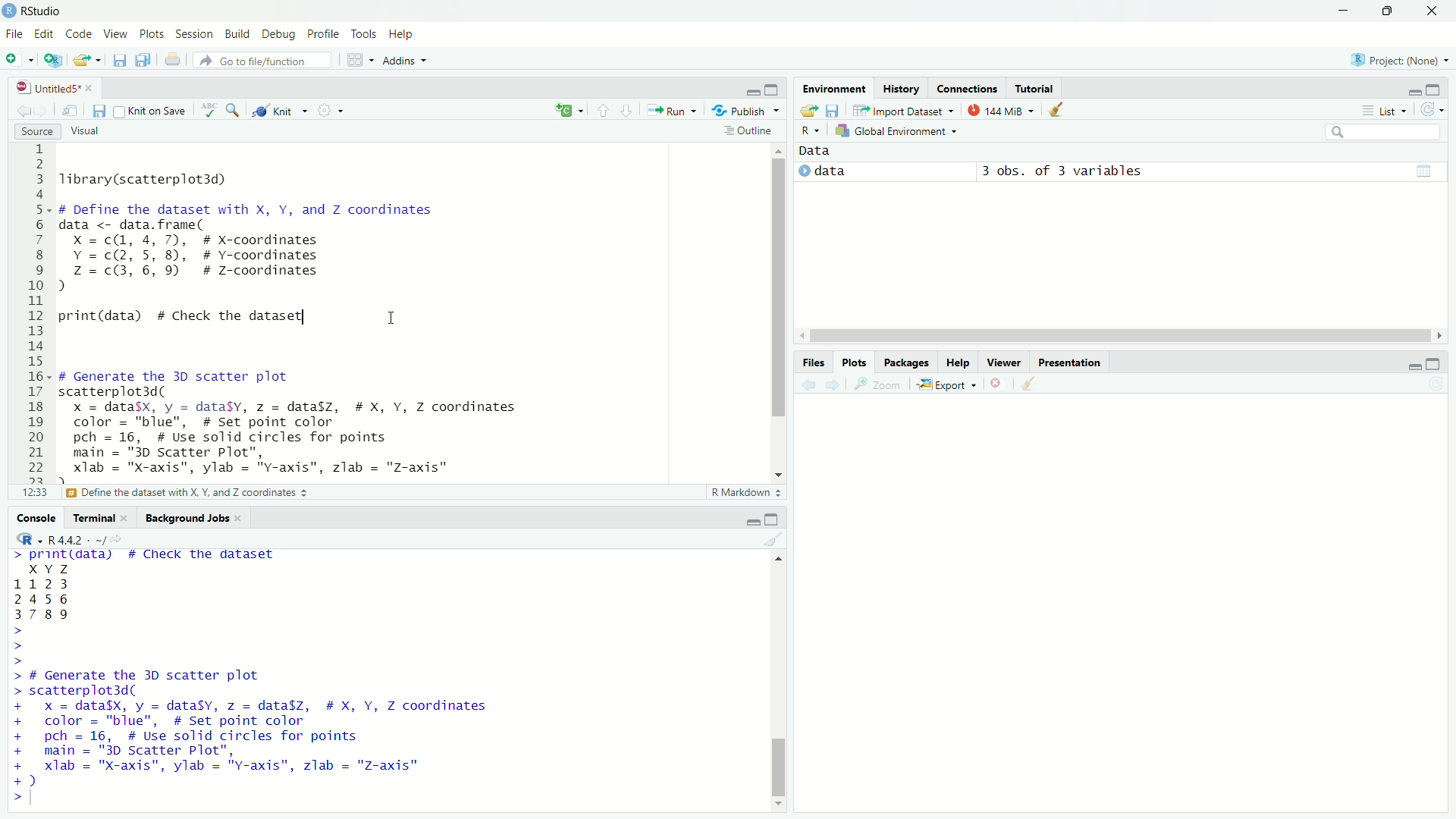  What do you see at coordinates (1385, 111) in the screenshot?
I see `list` at bounding box center [1385, 111].